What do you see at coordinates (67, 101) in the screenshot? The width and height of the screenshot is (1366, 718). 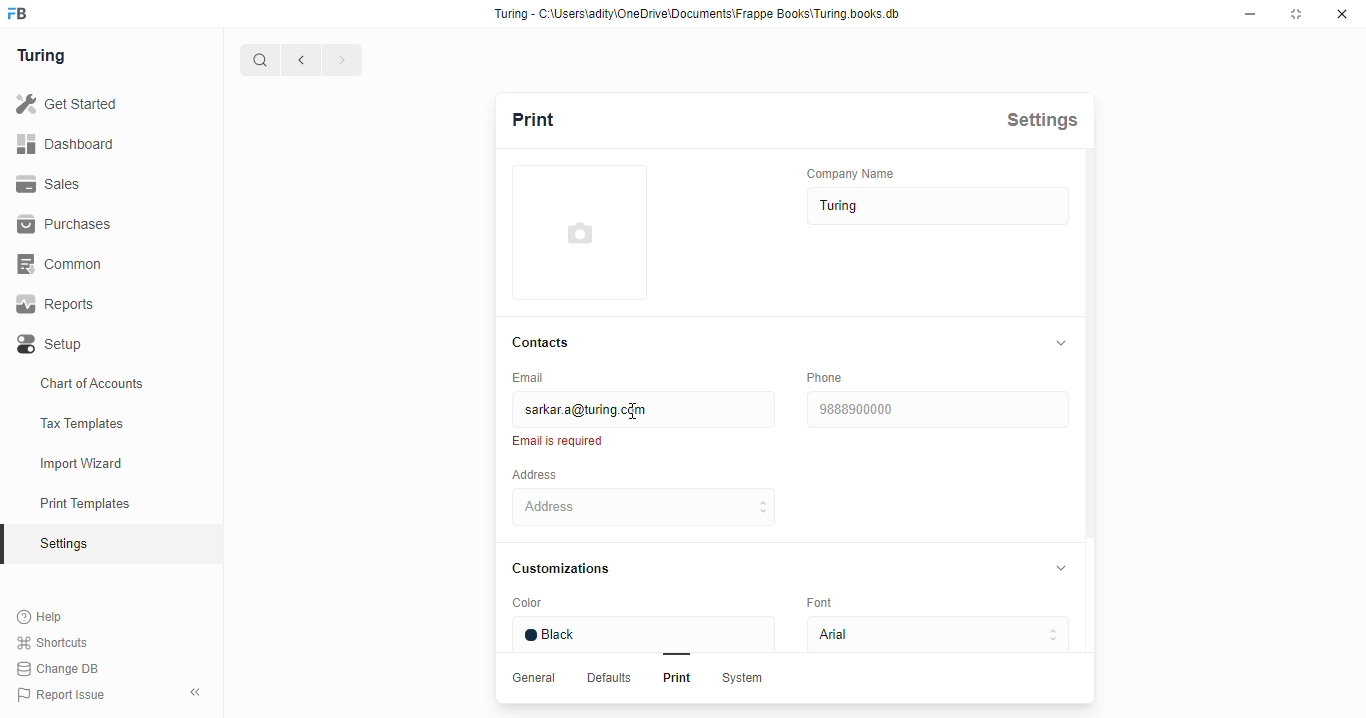 I see `Get Started` at bounding box center [67, 101].